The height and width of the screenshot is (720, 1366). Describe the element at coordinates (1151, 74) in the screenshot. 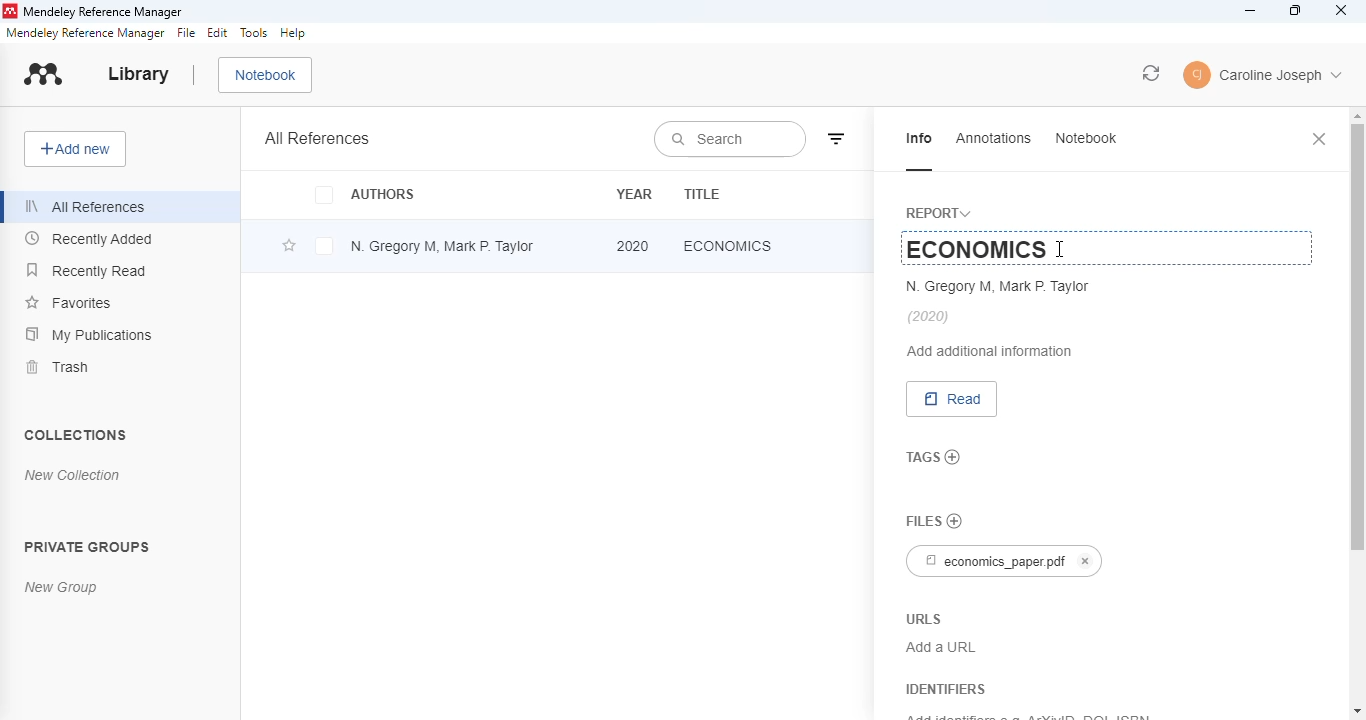

I see `sync` at that location.